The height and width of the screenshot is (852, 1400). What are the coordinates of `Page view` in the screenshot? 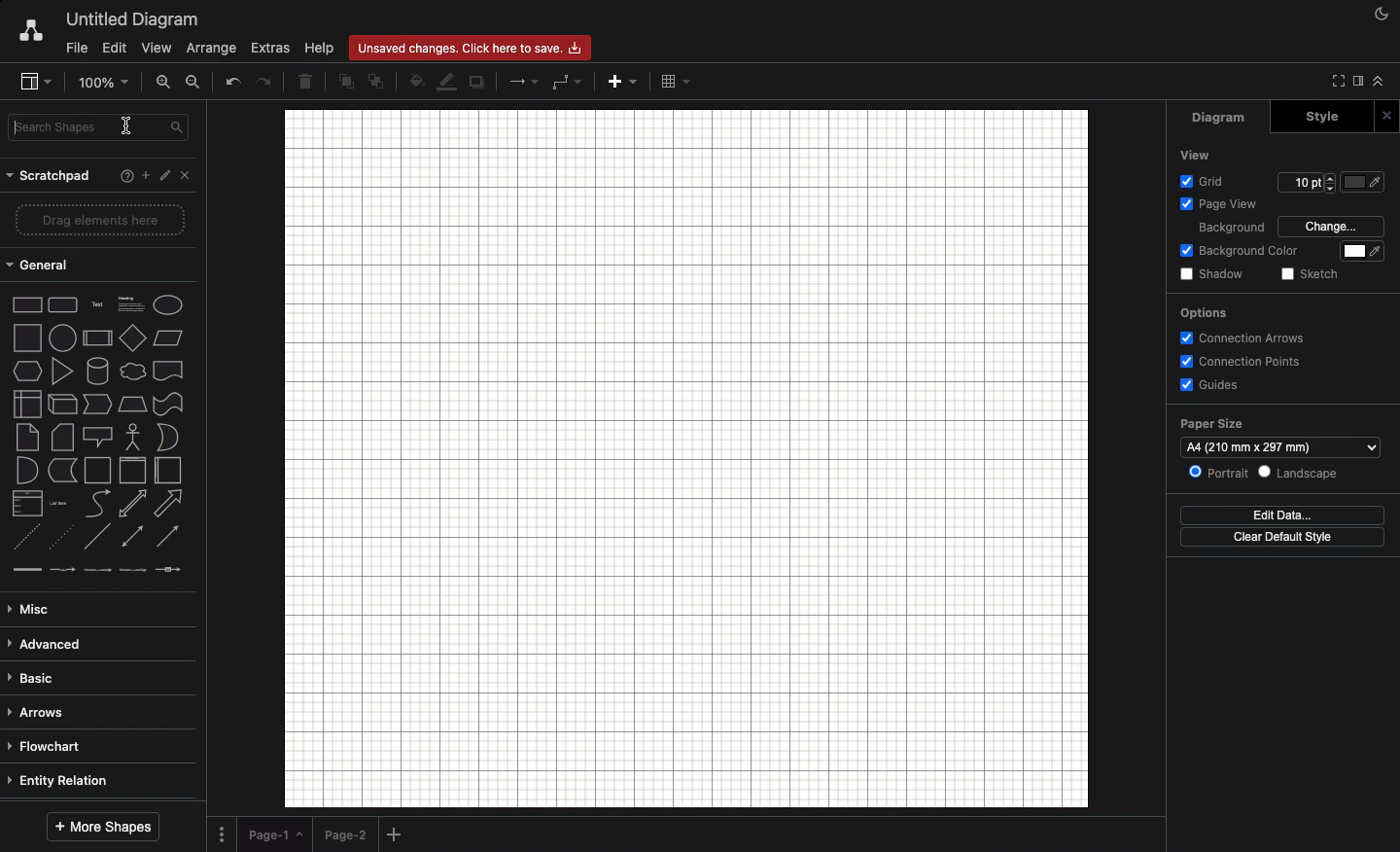 It's located at (1217, 203).